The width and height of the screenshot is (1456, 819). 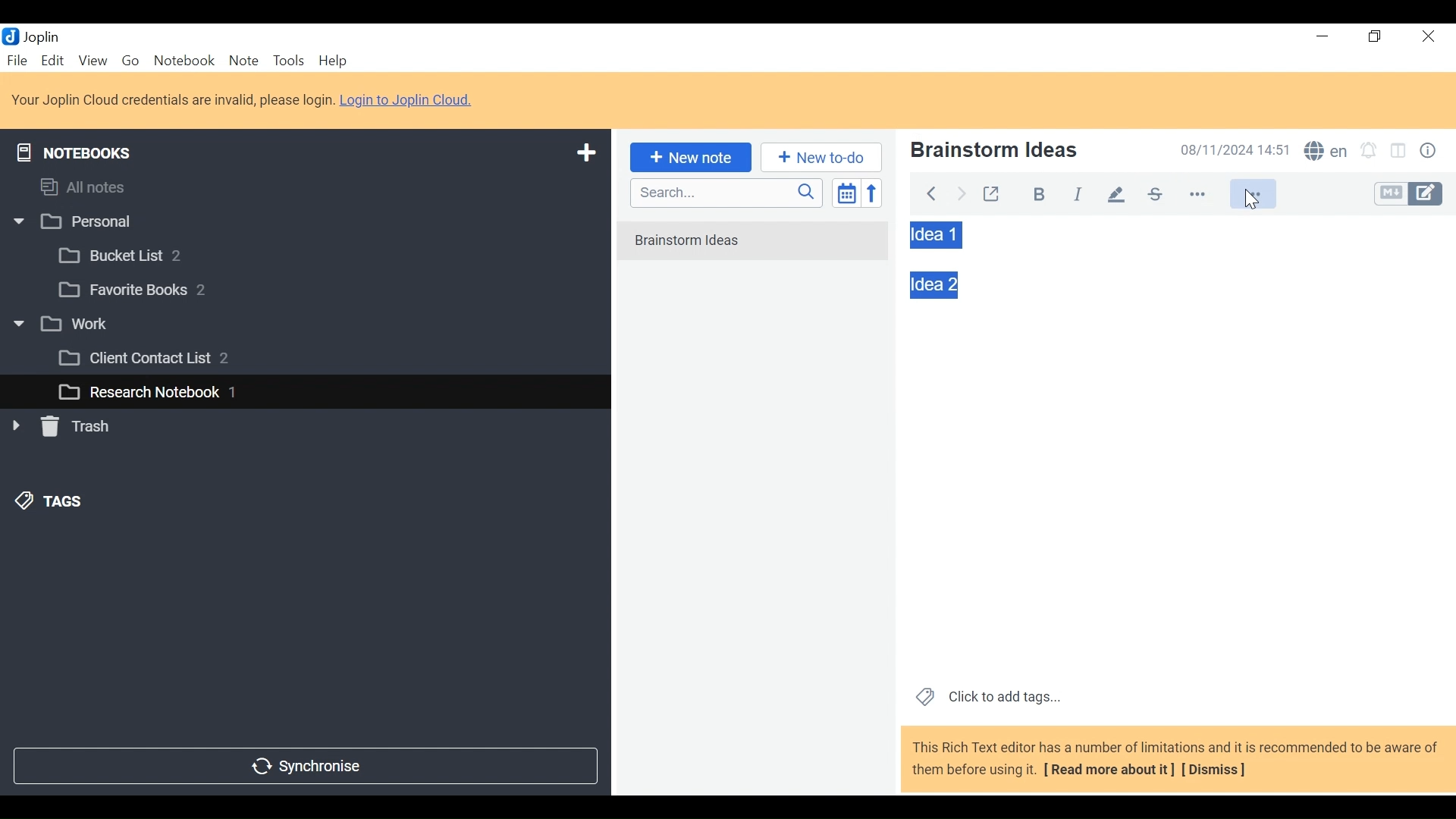 I want to click on Set alarm, so click(x=1369, y=152).